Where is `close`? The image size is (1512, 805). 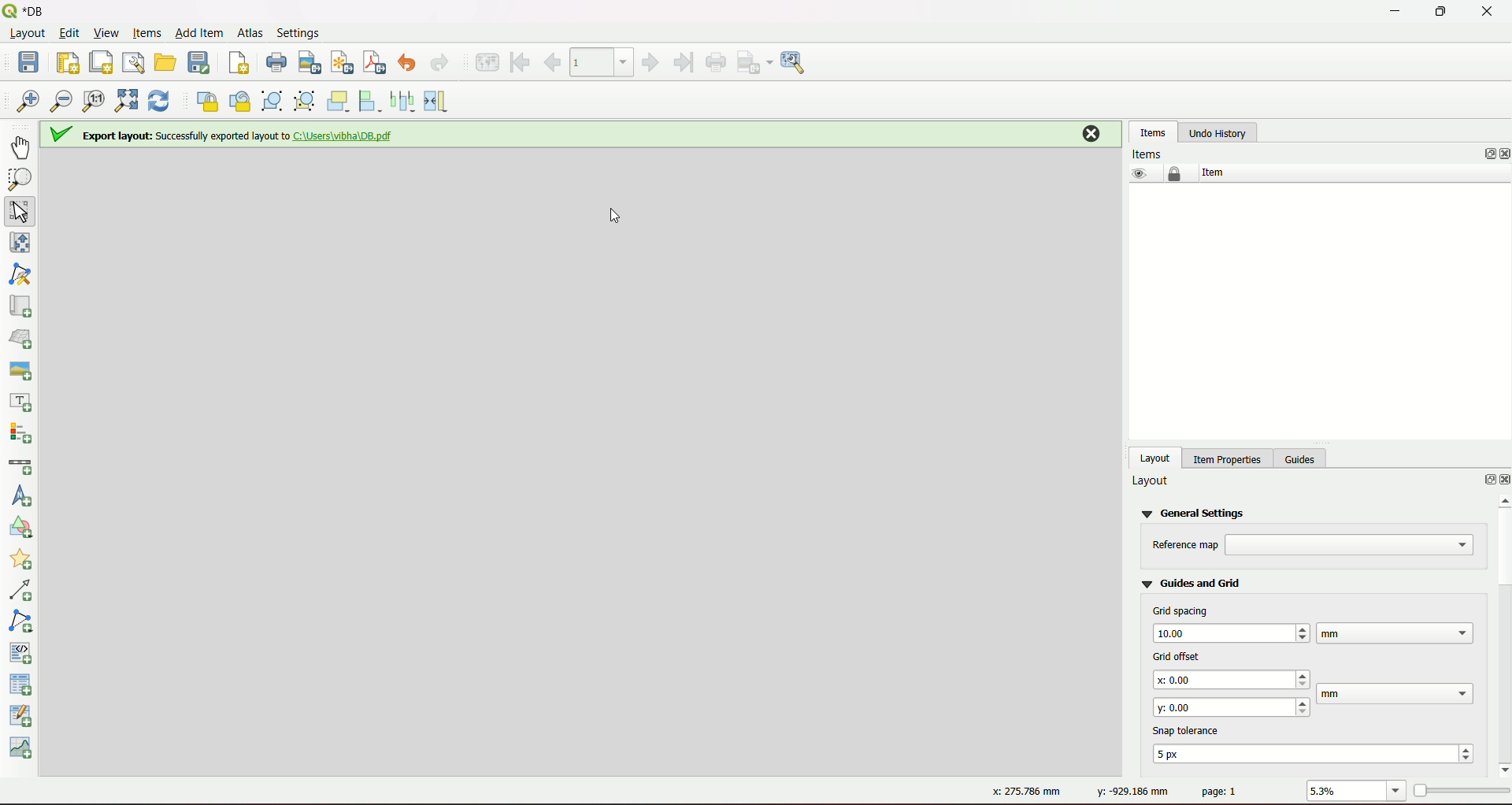
close is located at coordinates (1487, 12).